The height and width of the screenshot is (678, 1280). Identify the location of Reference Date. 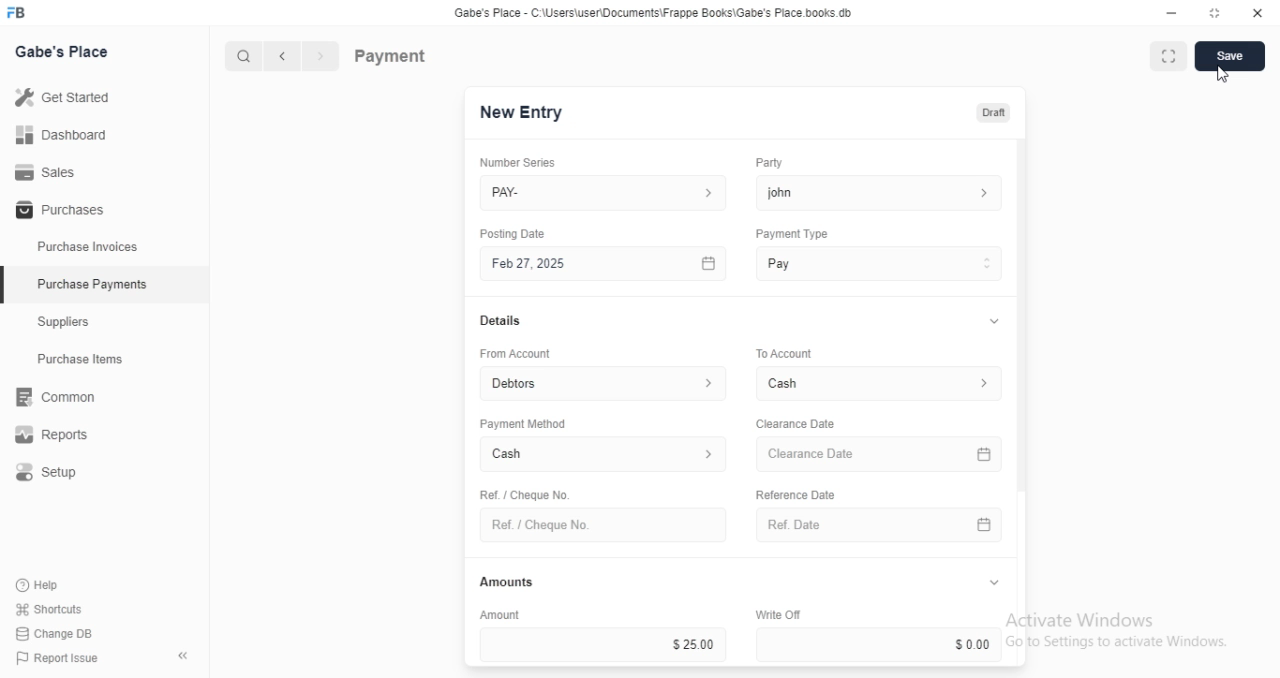
(794, 493).